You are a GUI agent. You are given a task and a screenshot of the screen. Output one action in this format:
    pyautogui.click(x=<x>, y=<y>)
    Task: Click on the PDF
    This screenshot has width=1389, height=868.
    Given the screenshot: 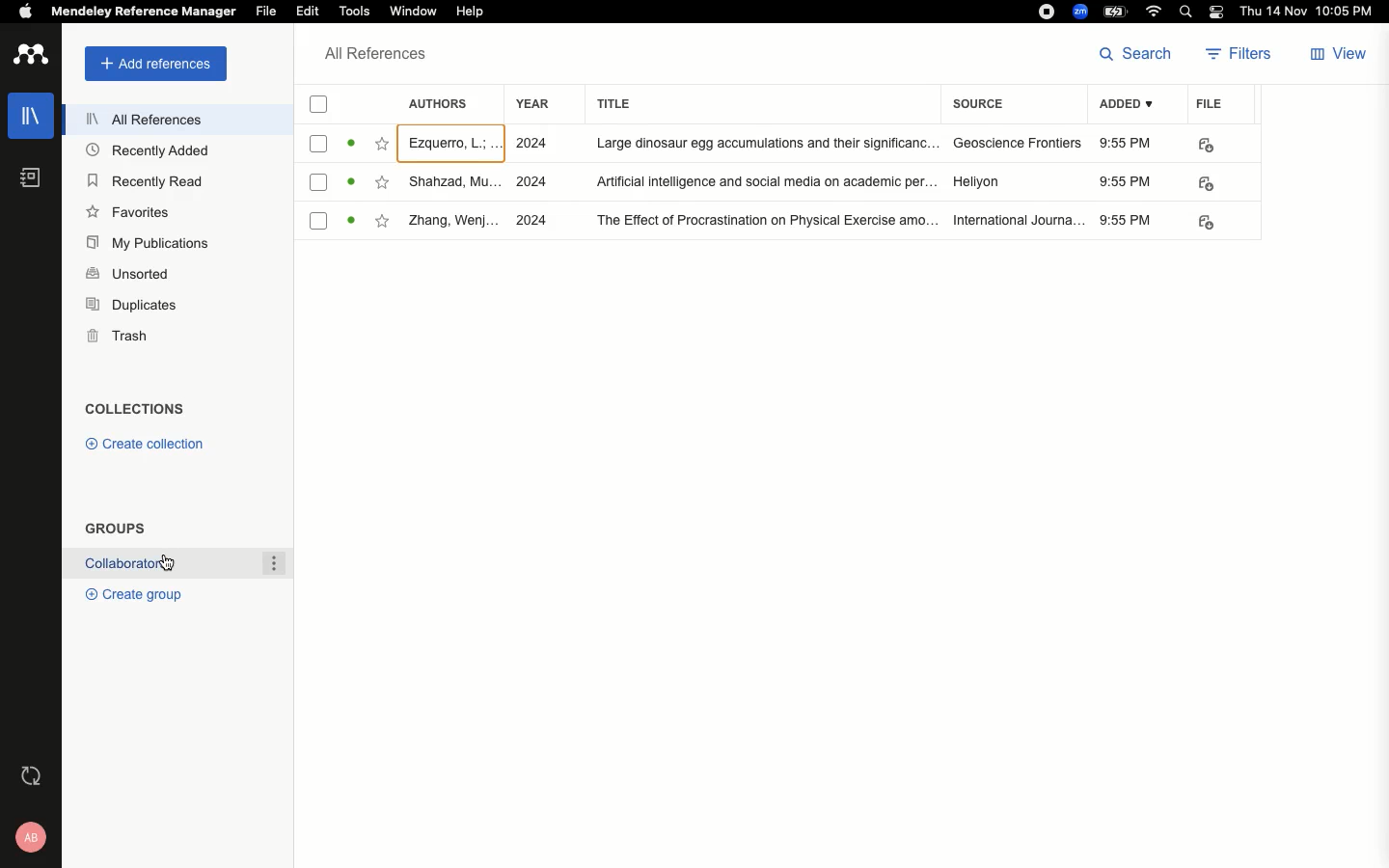 What is the action you would take?
    pyautogui.click(x=1211, y=144)
    